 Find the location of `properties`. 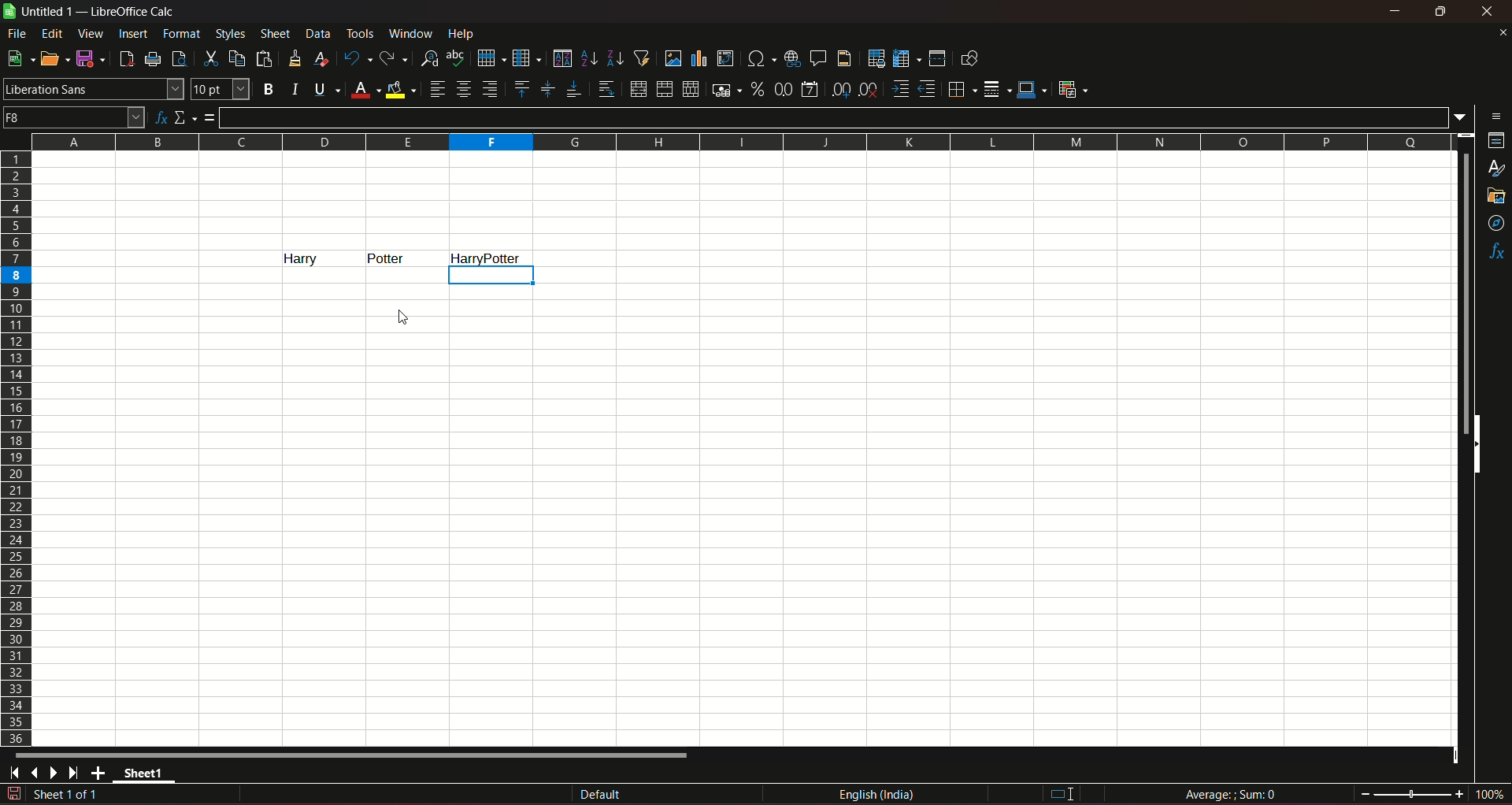

properties is located at coordinates (1496, 142).